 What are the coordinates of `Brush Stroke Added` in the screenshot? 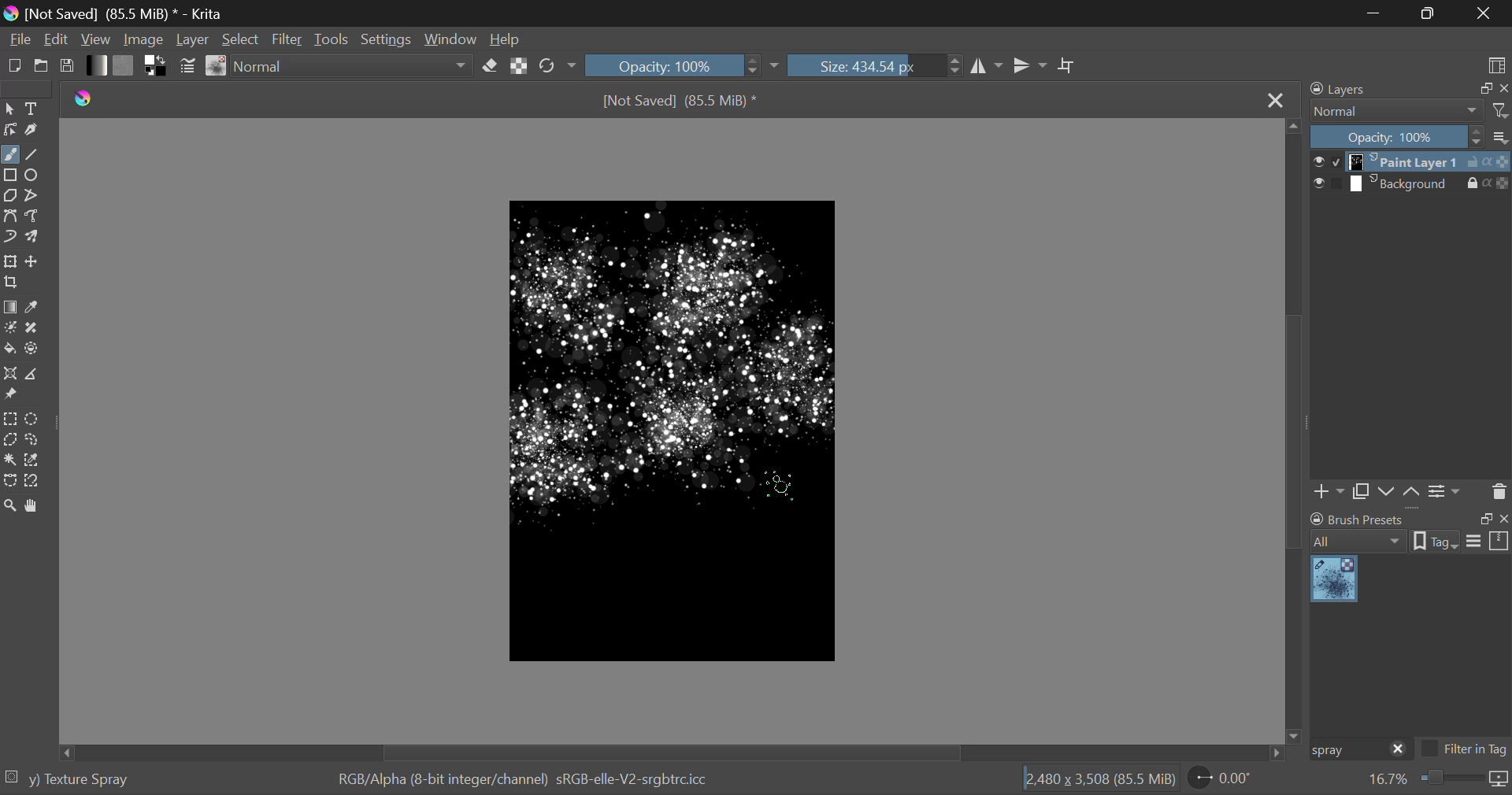 It's located at (566, 442).